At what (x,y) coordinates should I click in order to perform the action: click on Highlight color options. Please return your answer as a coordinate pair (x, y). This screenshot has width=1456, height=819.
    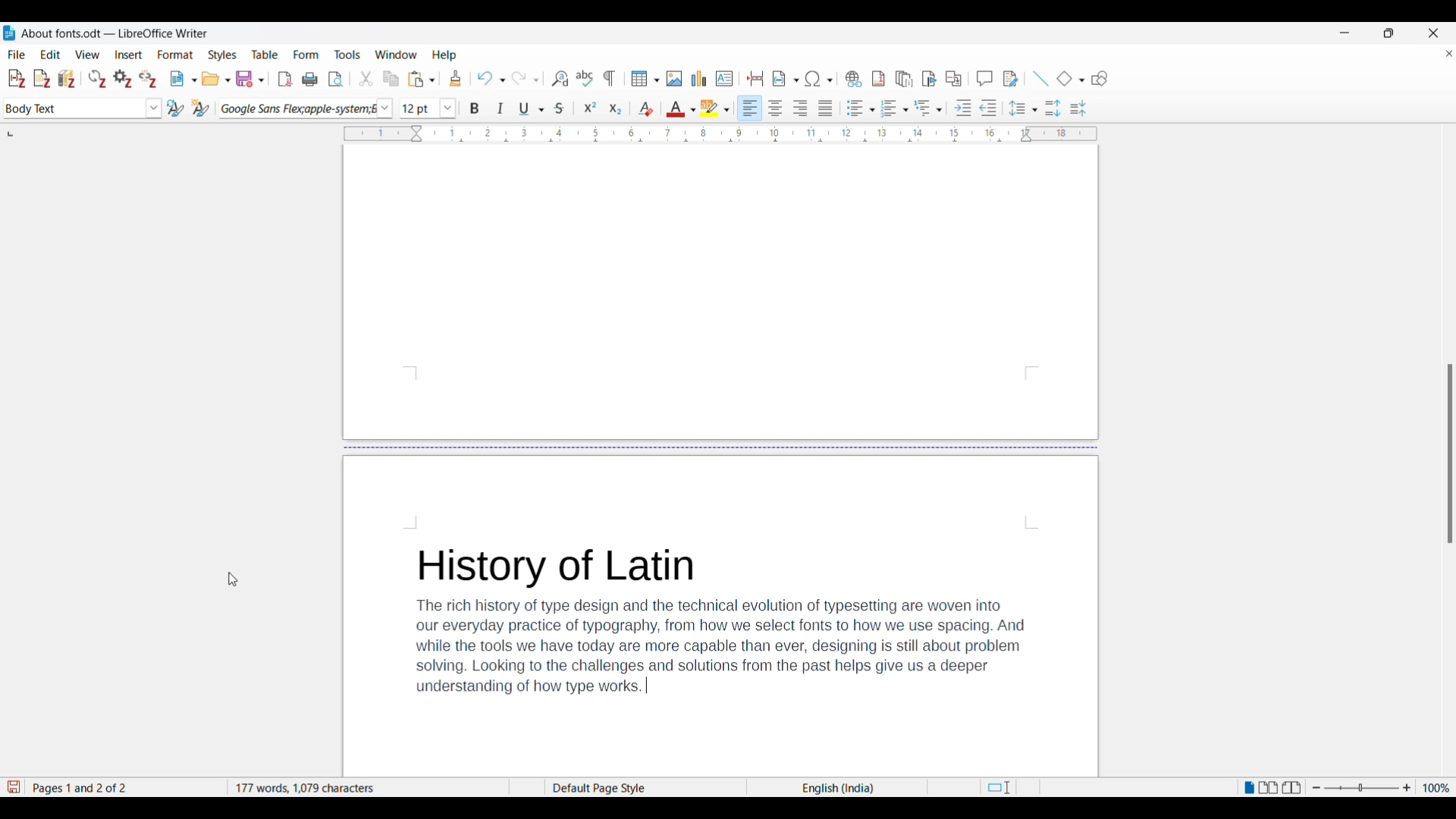
    Looking at the image, I should click on (714, 108).